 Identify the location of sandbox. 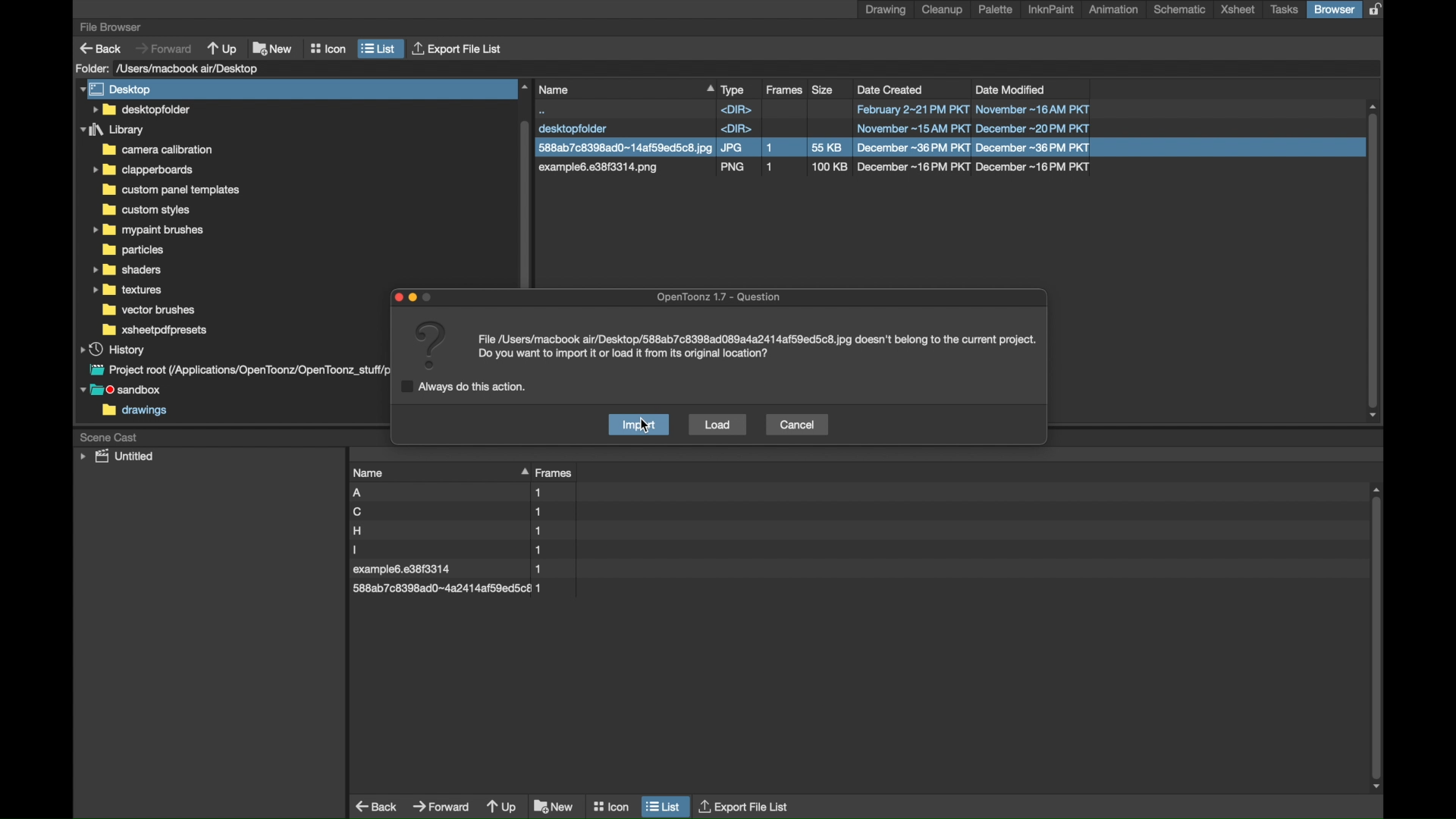
(124, 391).